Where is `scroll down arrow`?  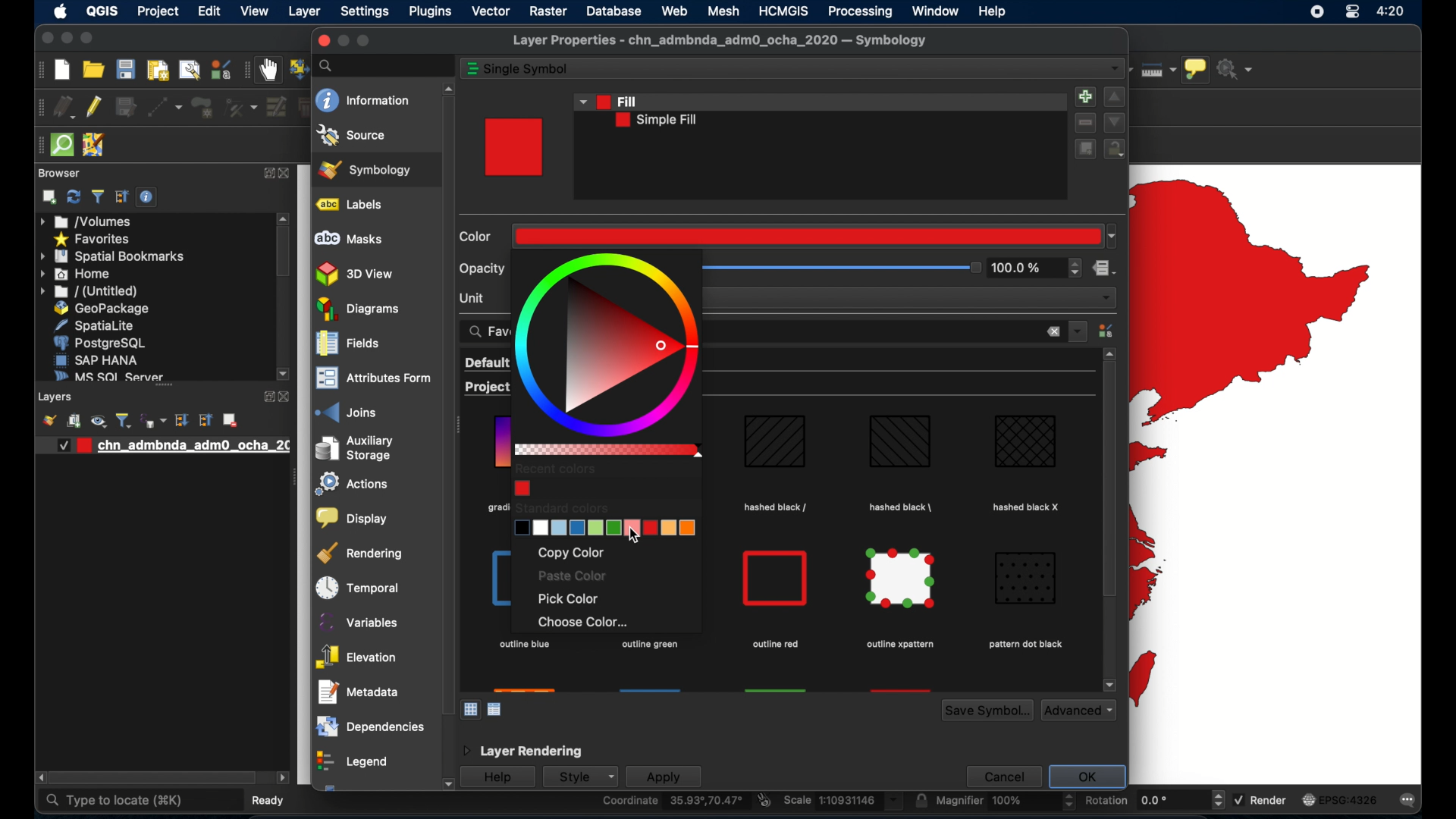
scroll down arrow is located at coordinates (446, 785).